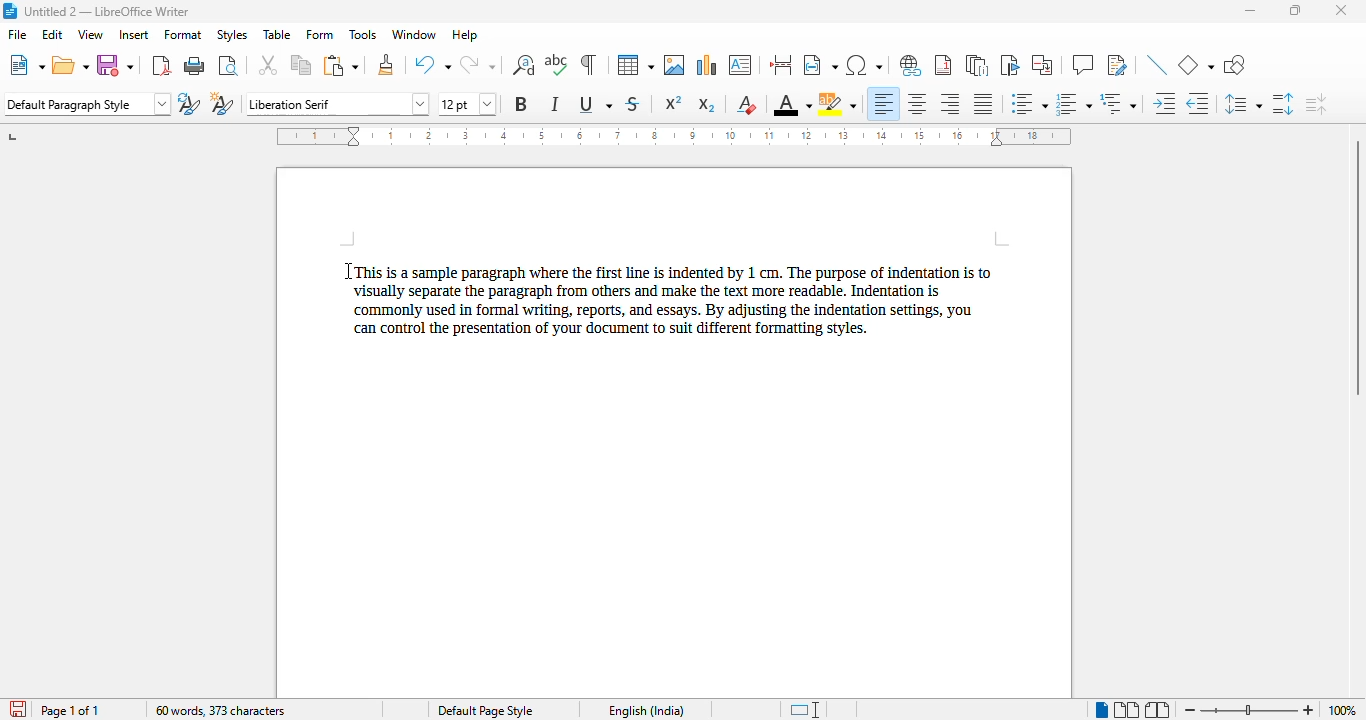 This screenshot has width=1366, height=720. I want to click on table, so click(635, 65).